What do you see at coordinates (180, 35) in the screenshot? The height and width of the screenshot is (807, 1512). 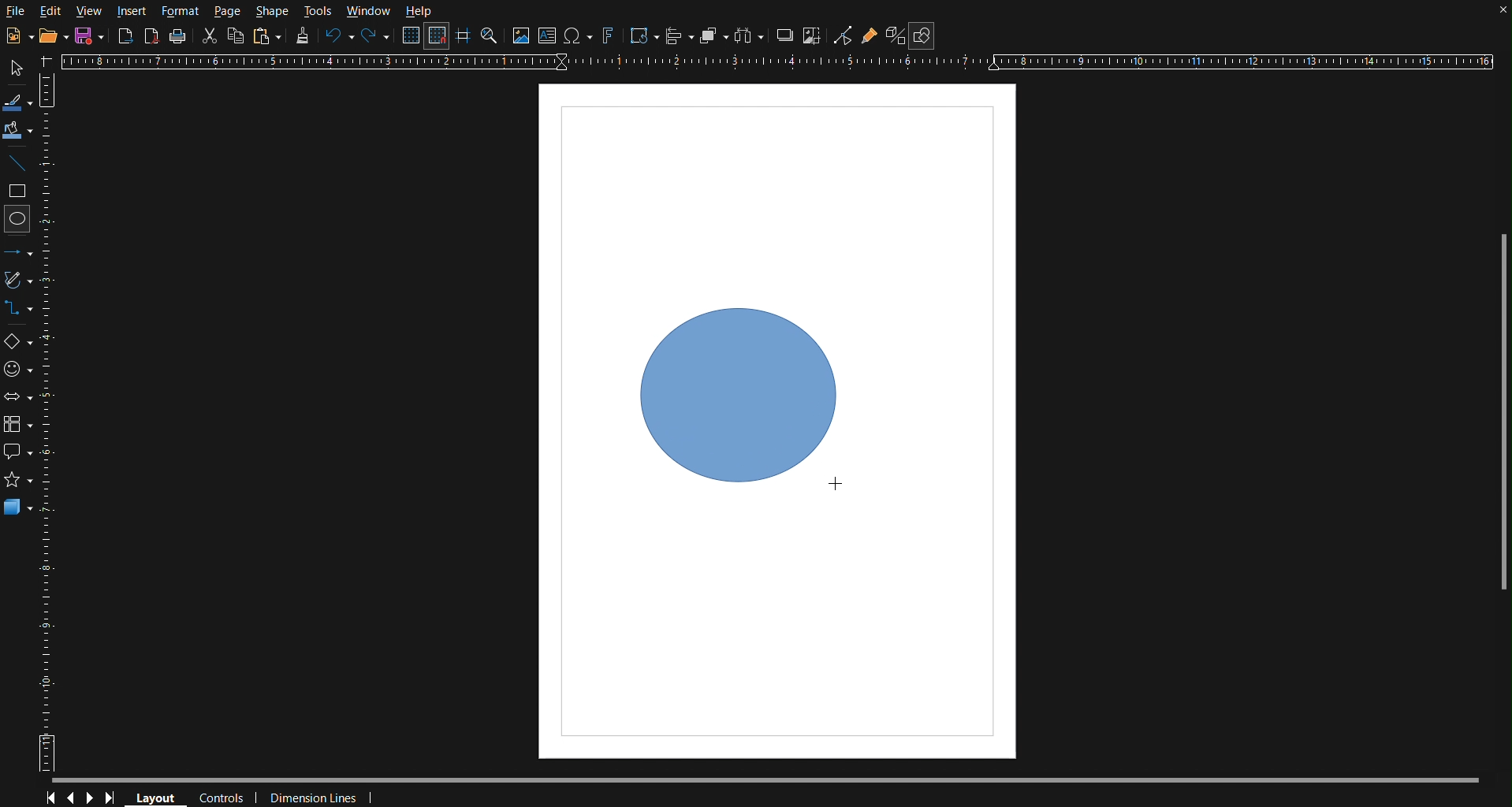 I see `Print` at bounding box center [180, 35].